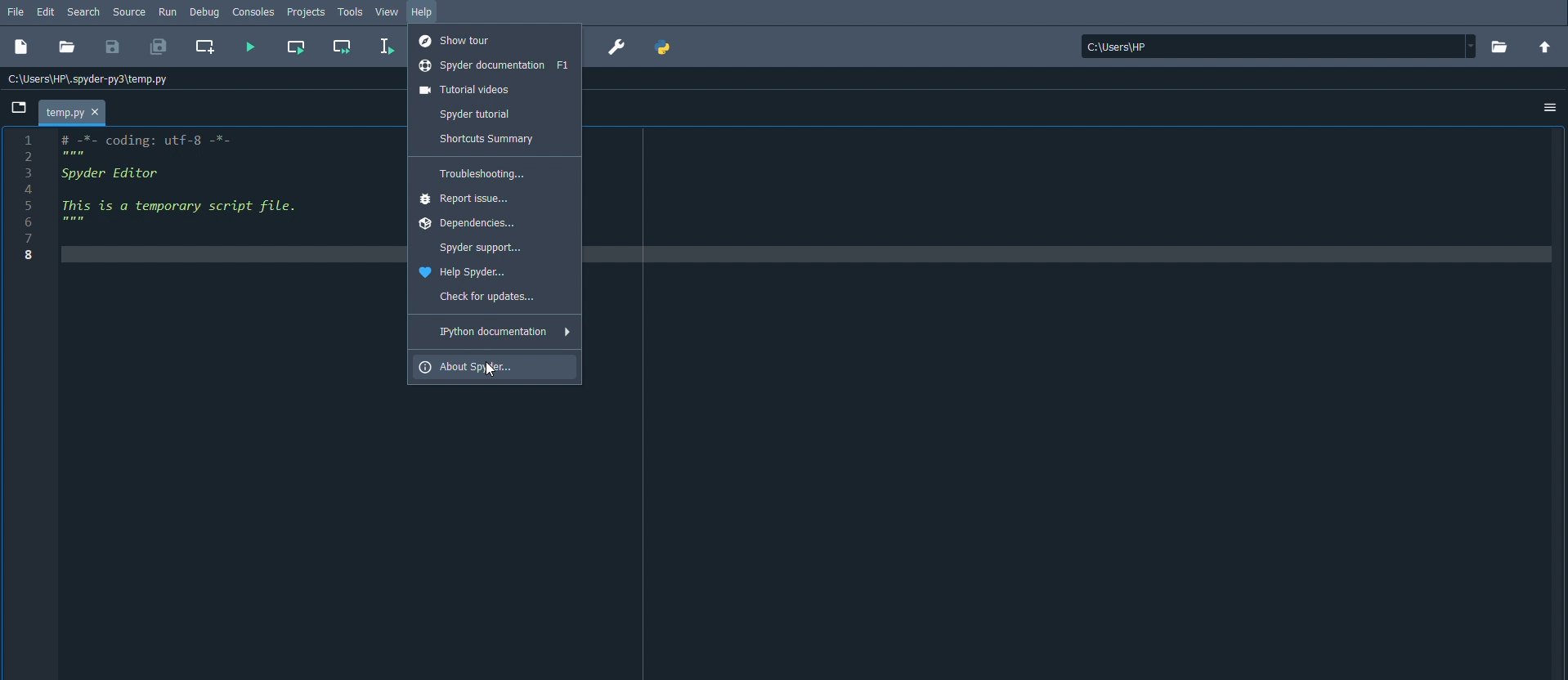 The height and width of the screenshot is (680, 1568). Describe the element at coordinates (471, 366) in the screenshot. I see `About Spyder` at that location.